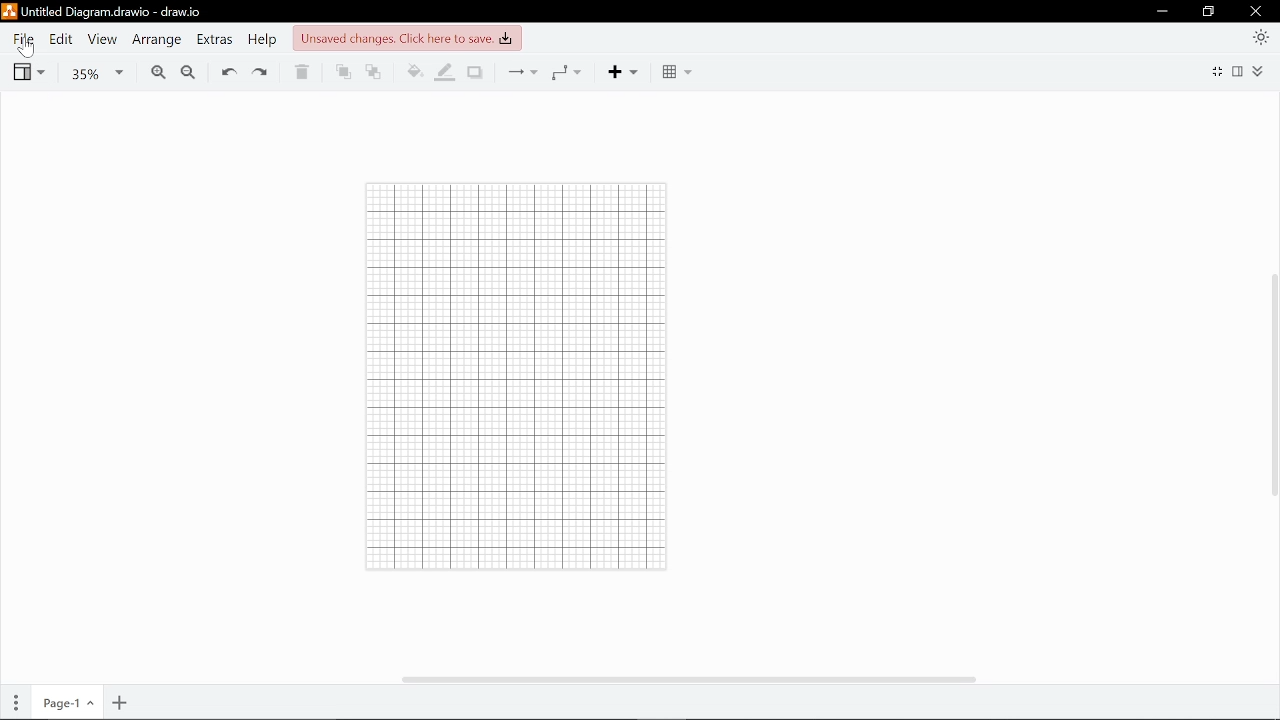 This screenshot has width=1280, height=720. What do you see at coordinates (626, 72) in the screenshot?
I see `Add` at bounding box center [626, 72].